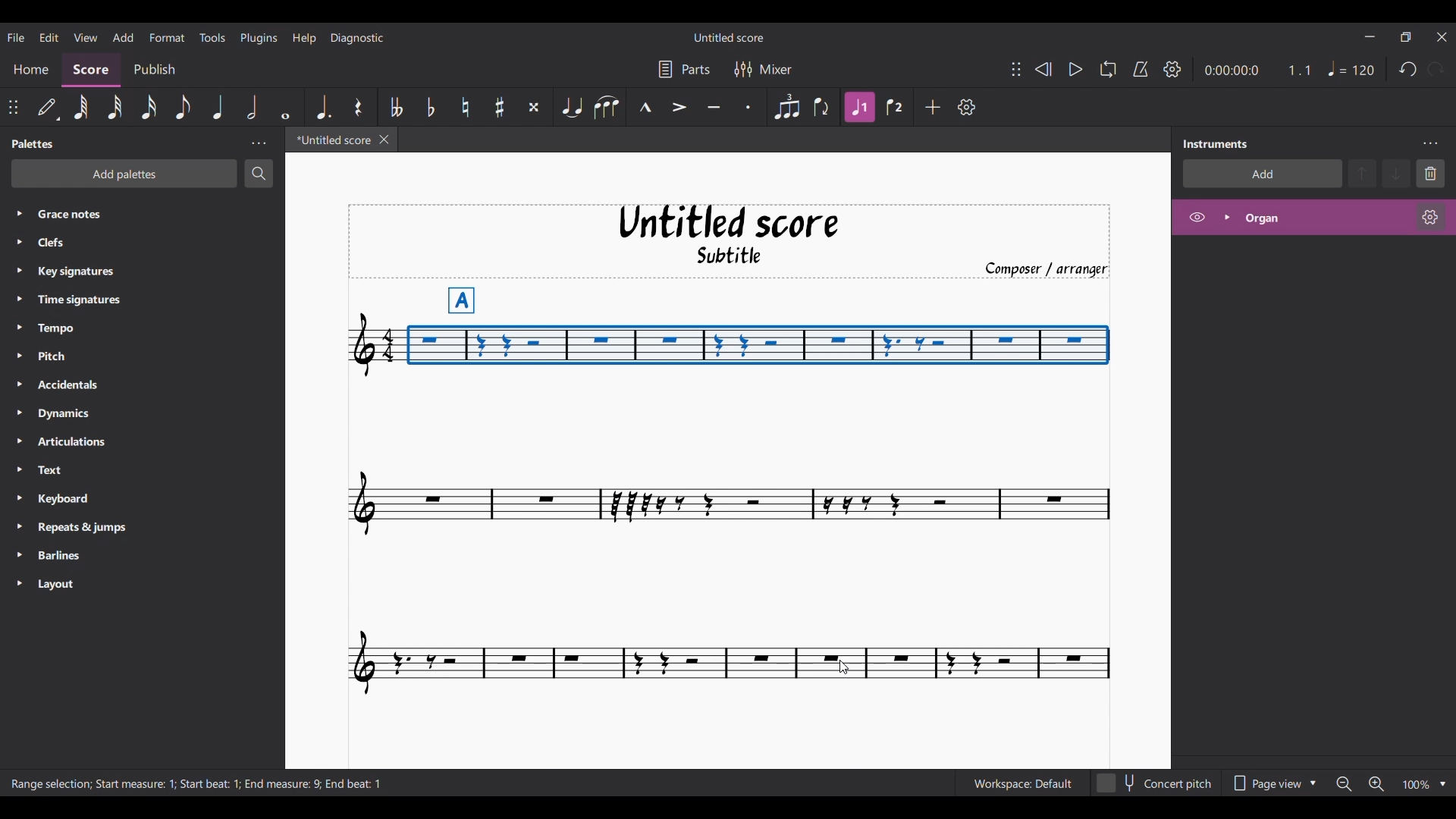 The width and height of the screenshot is (1456, 819). Describe the element at coordinates (1263, 174) in the screenshot. I see `Add instrument` at that location.